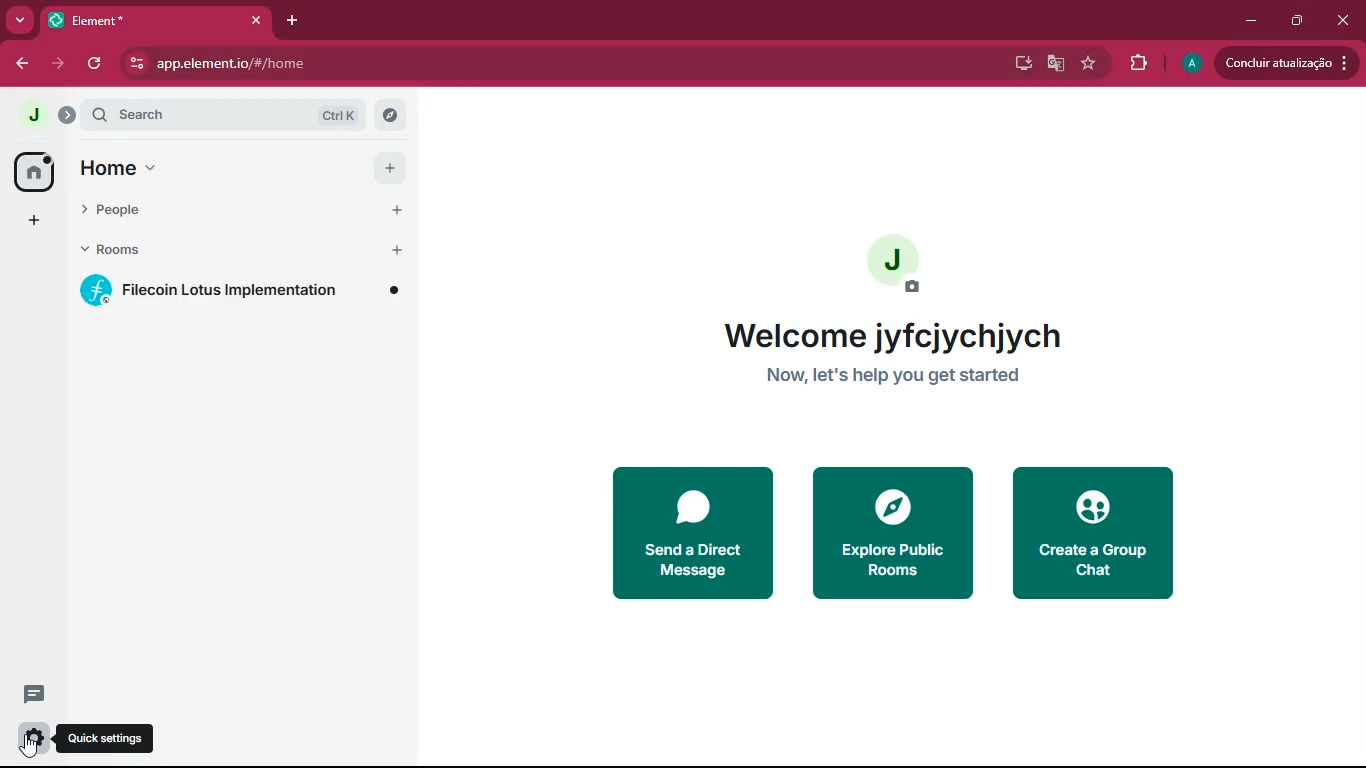  Describe the element at coordinates (105, 738) in the screenshot. I see `quick settings` at that location.